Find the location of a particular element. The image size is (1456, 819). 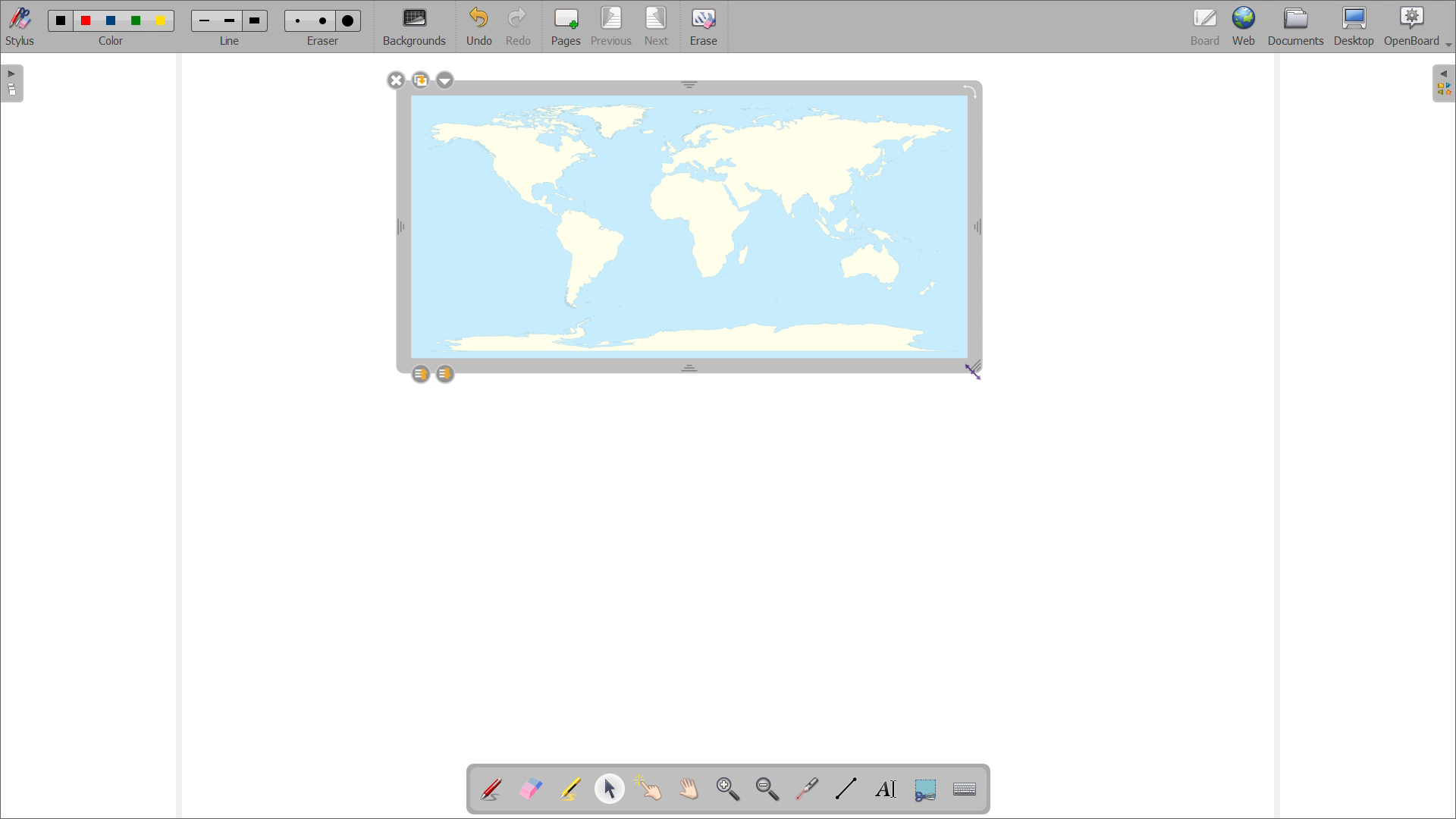

openboard settings is located at coordinates (1417, 27).